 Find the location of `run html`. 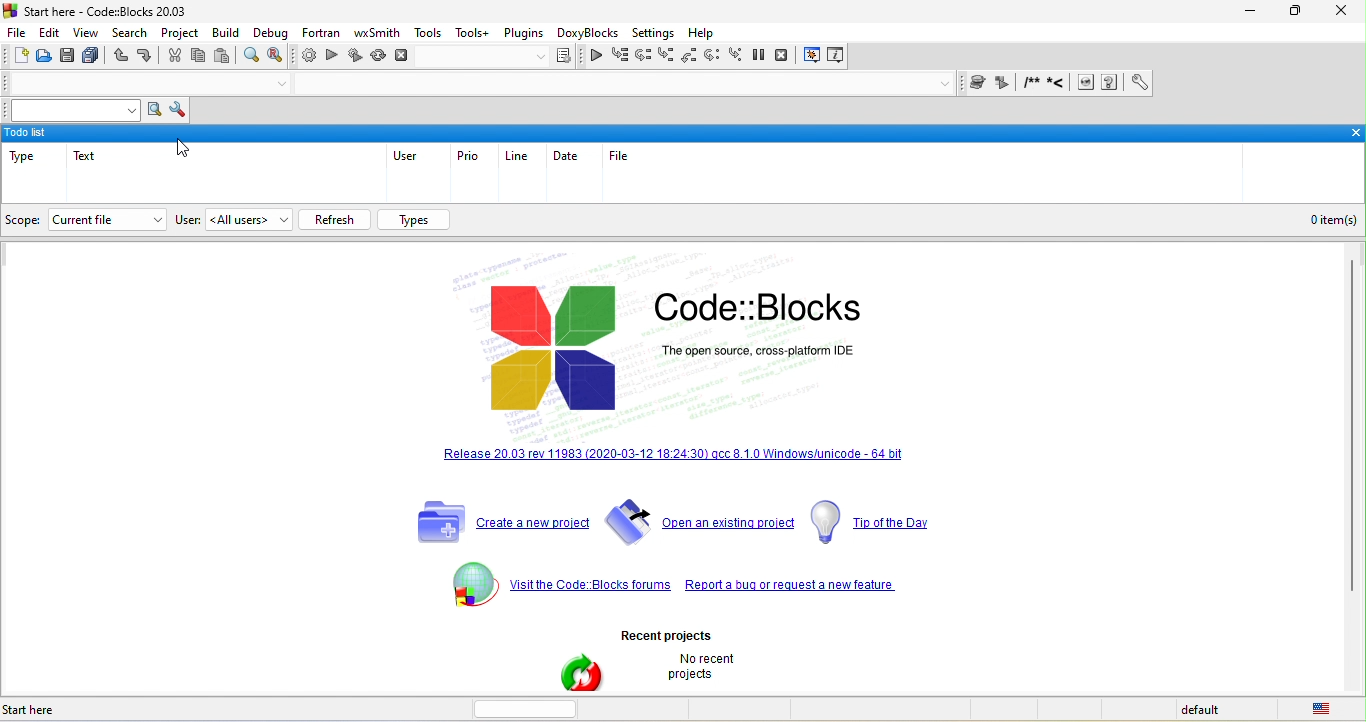

run html is located at coordinates (1086, 84).